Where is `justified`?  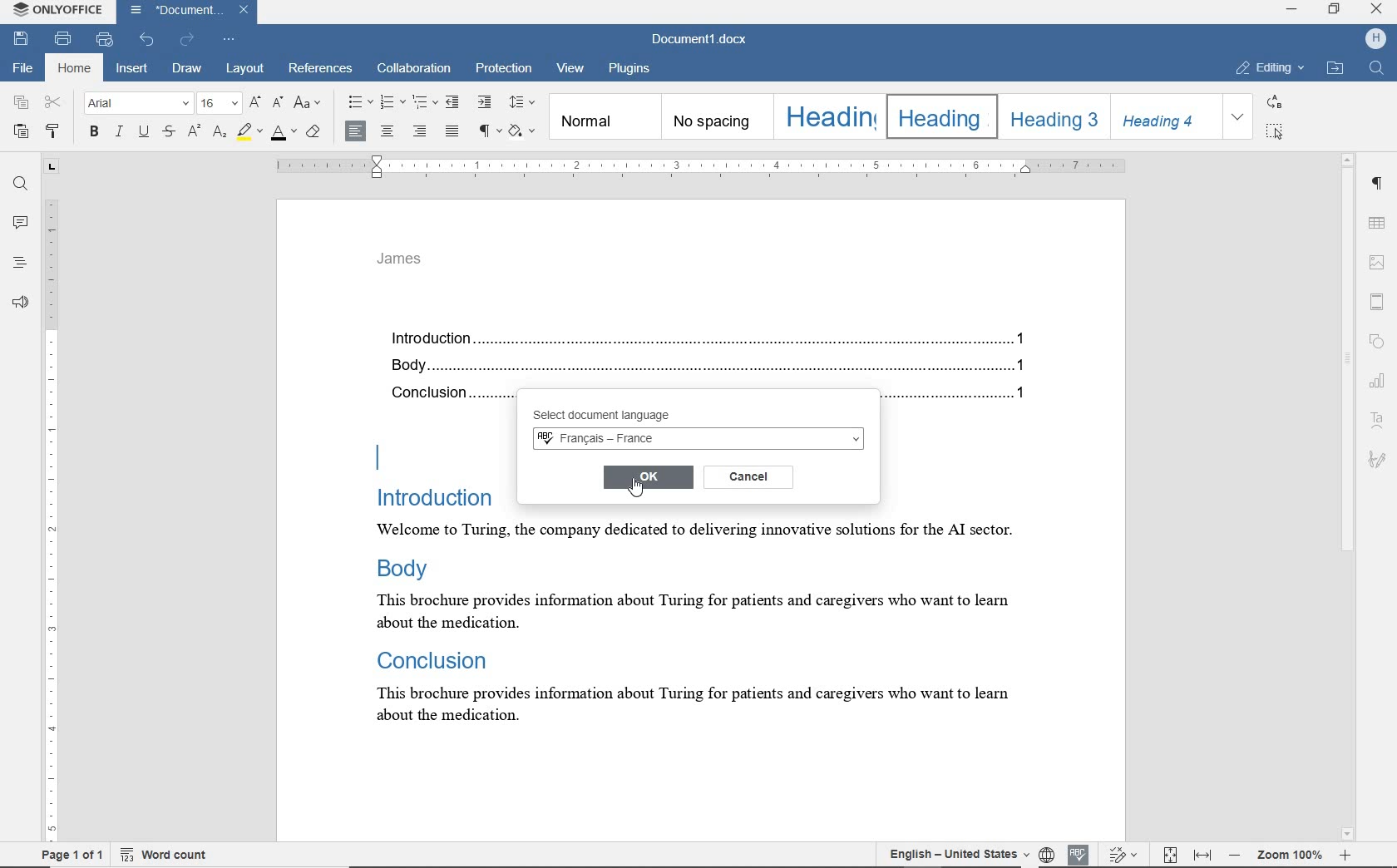
justified is located at coordinates (453, 132).